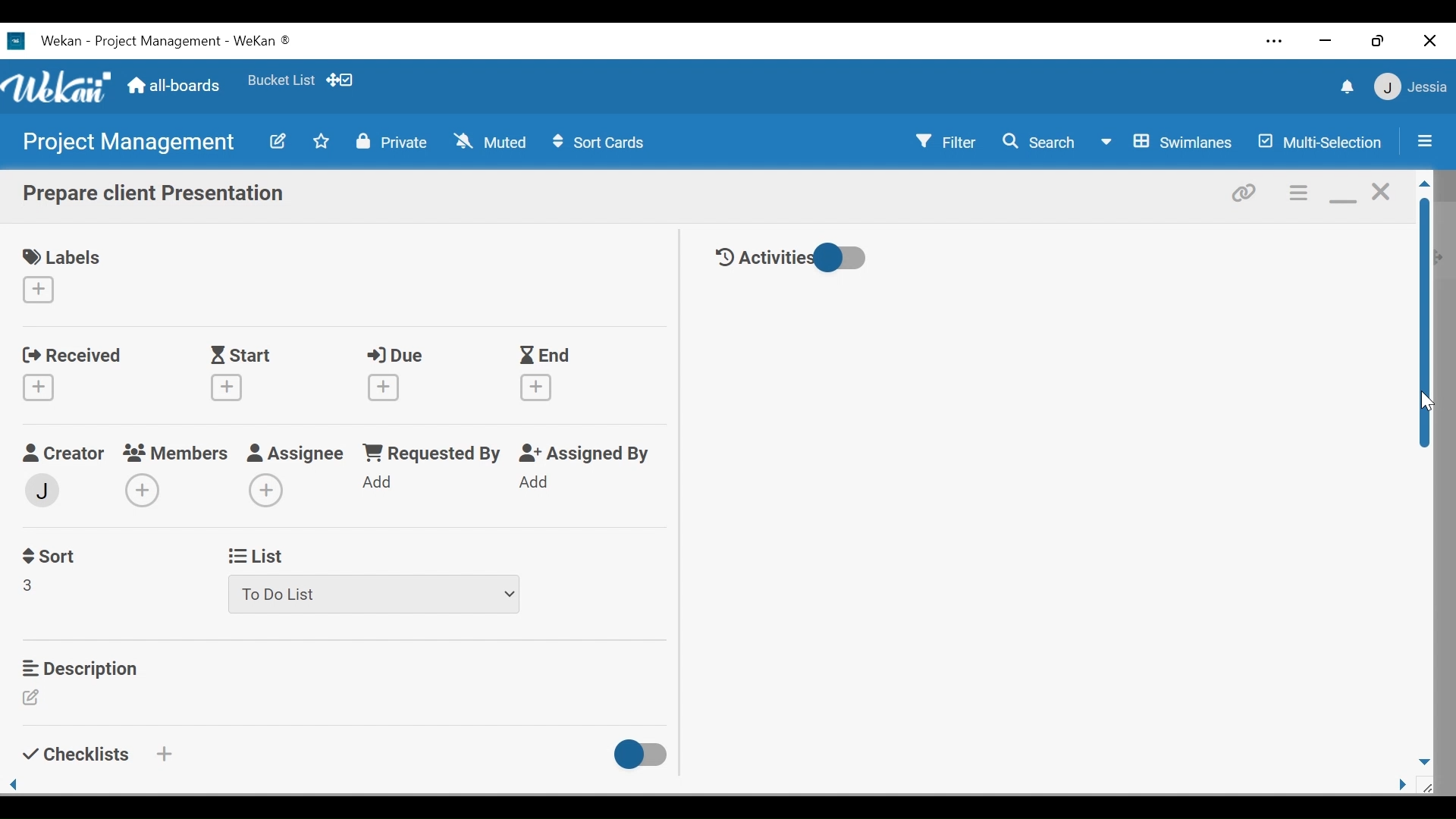 This screenshot has width=1456, height=819. I want to click on member settings, so click(1410, 86).